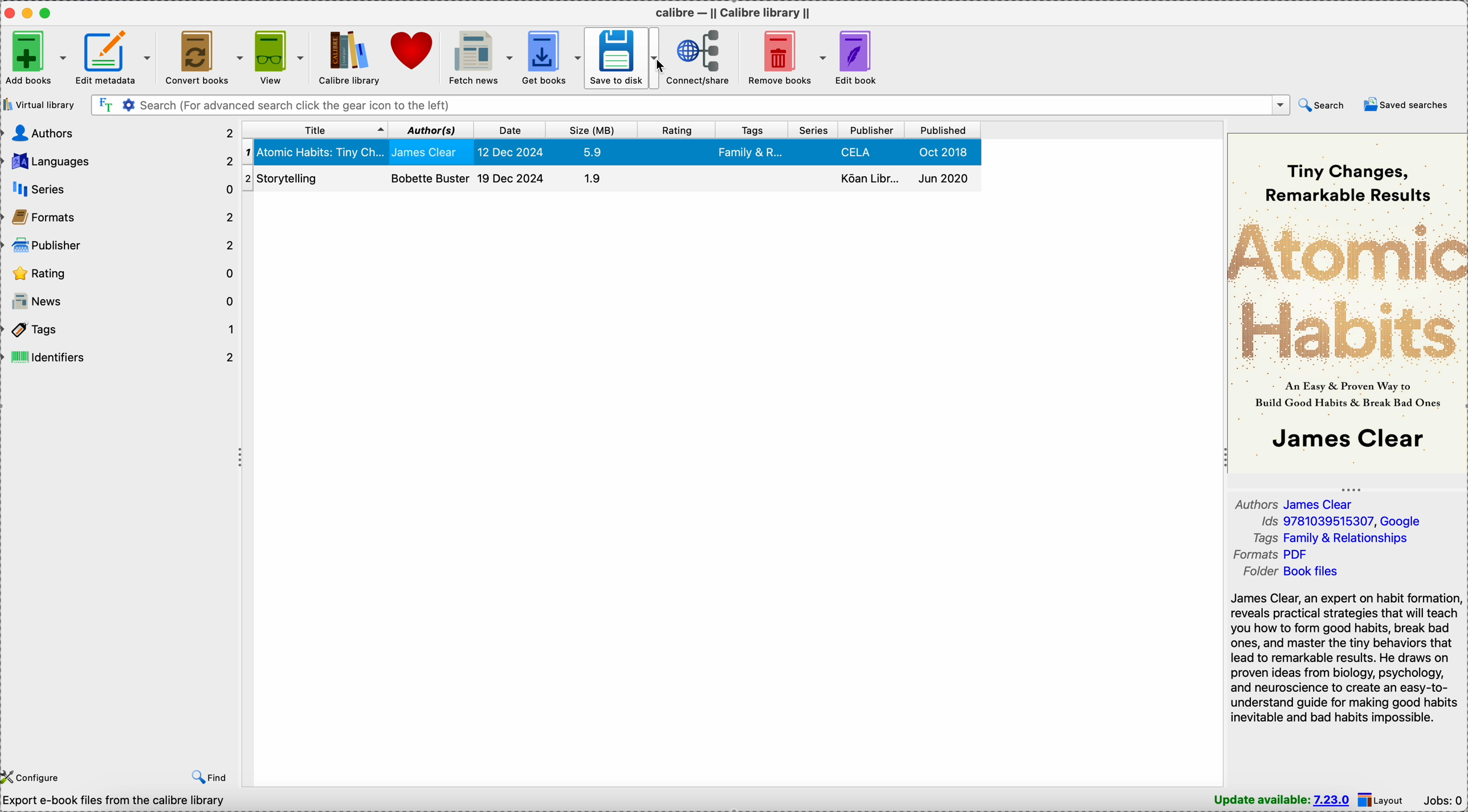 The height and width of the screenshot is (812, 1468). What do you see at coordinates (121, 357) in the screenshot?
I see `identifiers` at bounding box center [121, 357].